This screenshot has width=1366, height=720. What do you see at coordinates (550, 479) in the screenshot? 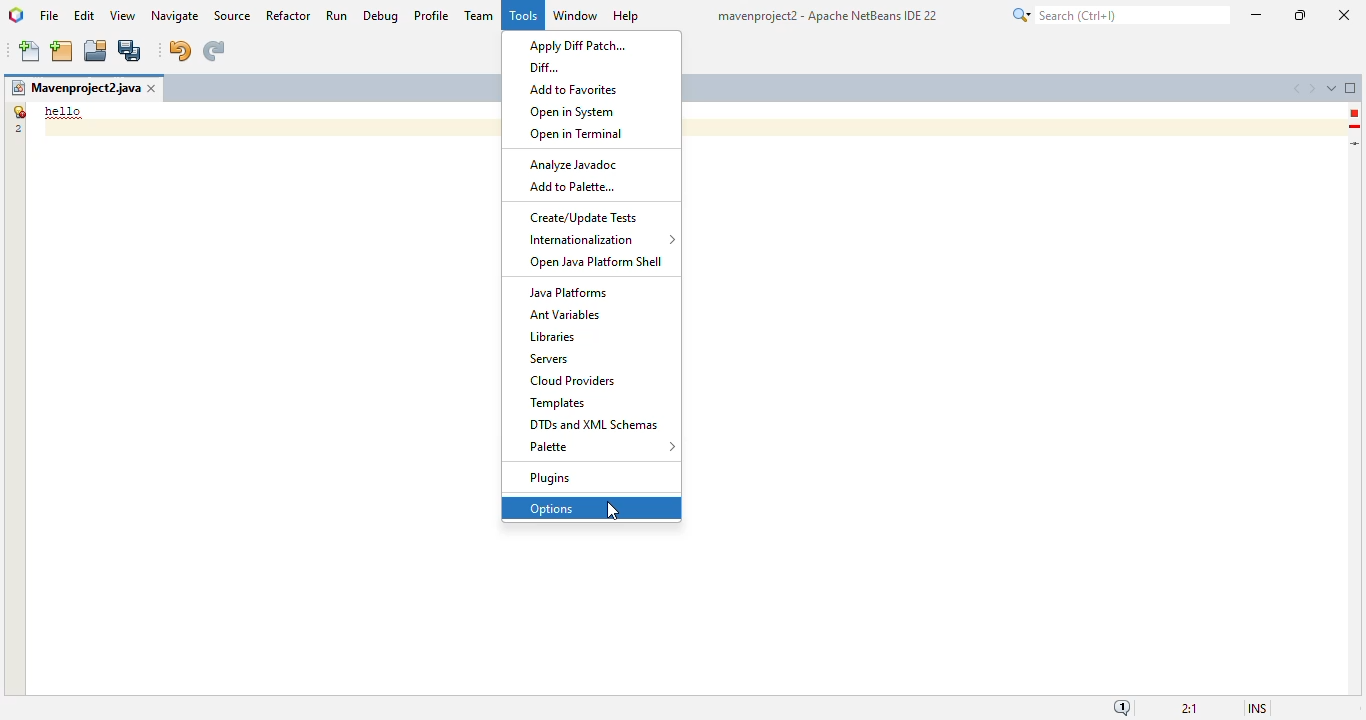
I see `plugins` at bounding box center [550, 479].